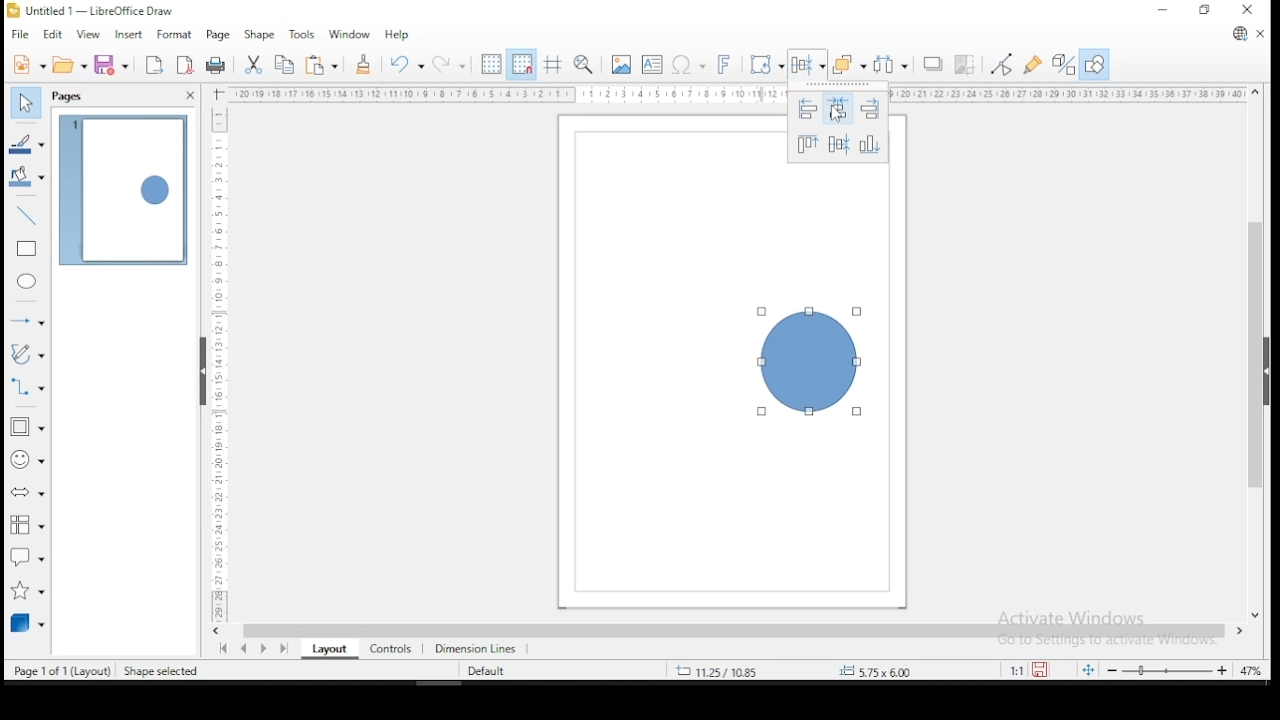 The height and width of the screenshot is (720, 1280). I want to click on toggle extrusions, so click(1064, 66).